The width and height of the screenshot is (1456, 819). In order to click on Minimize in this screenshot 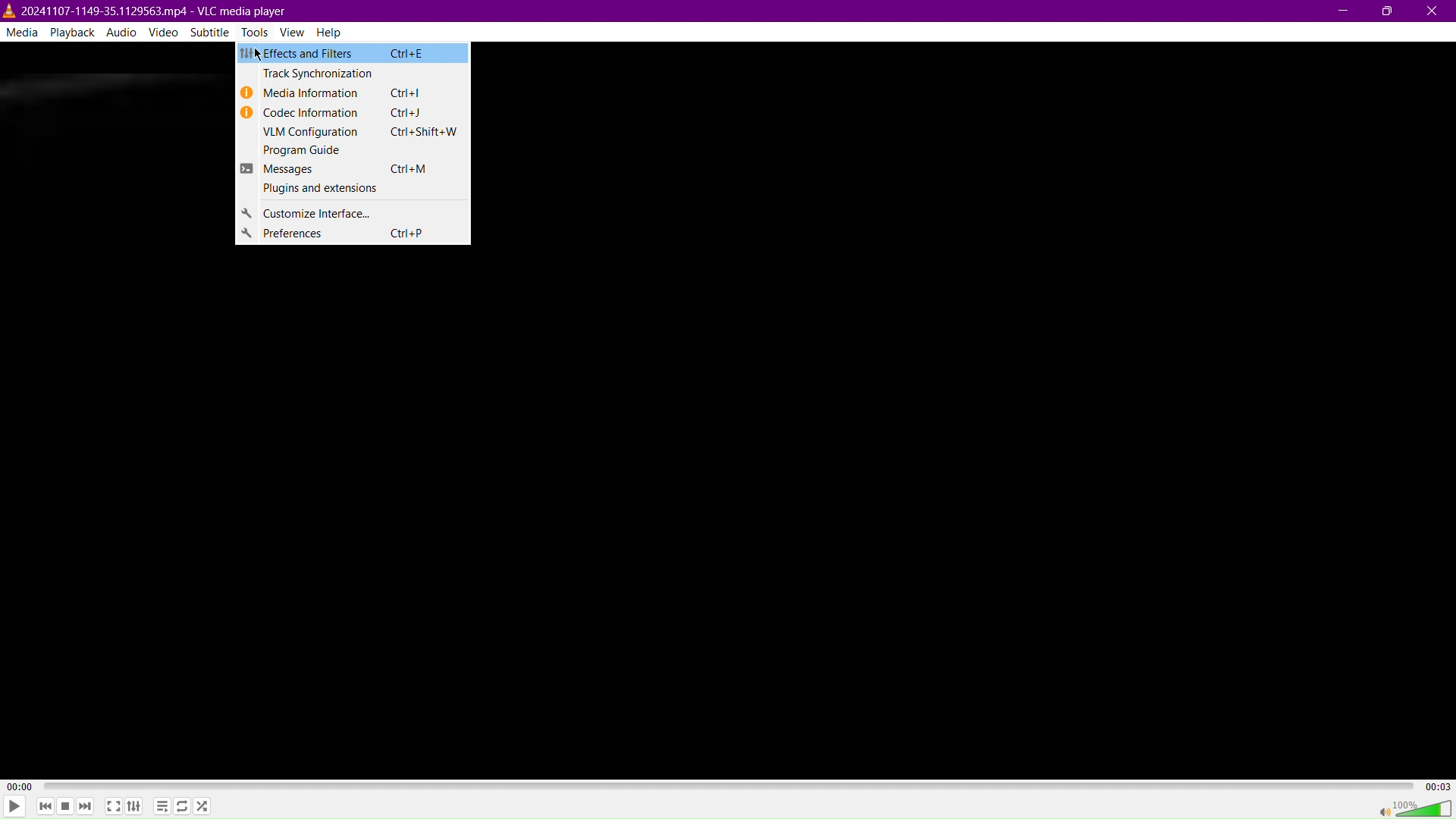, I will do `click(1345, 11)`.